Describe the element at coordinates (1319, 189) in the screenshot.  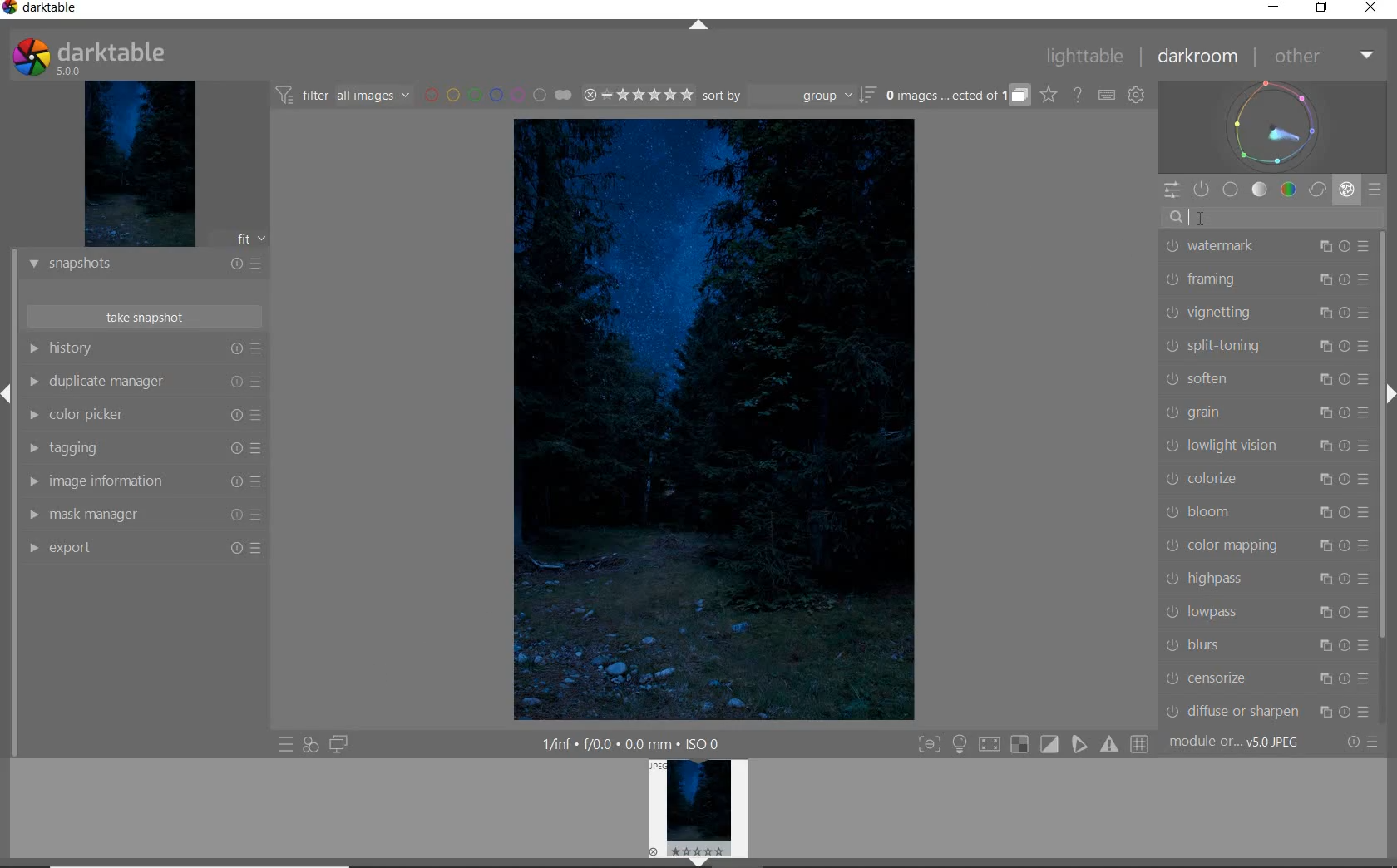
I see `CORRECT` at that location.